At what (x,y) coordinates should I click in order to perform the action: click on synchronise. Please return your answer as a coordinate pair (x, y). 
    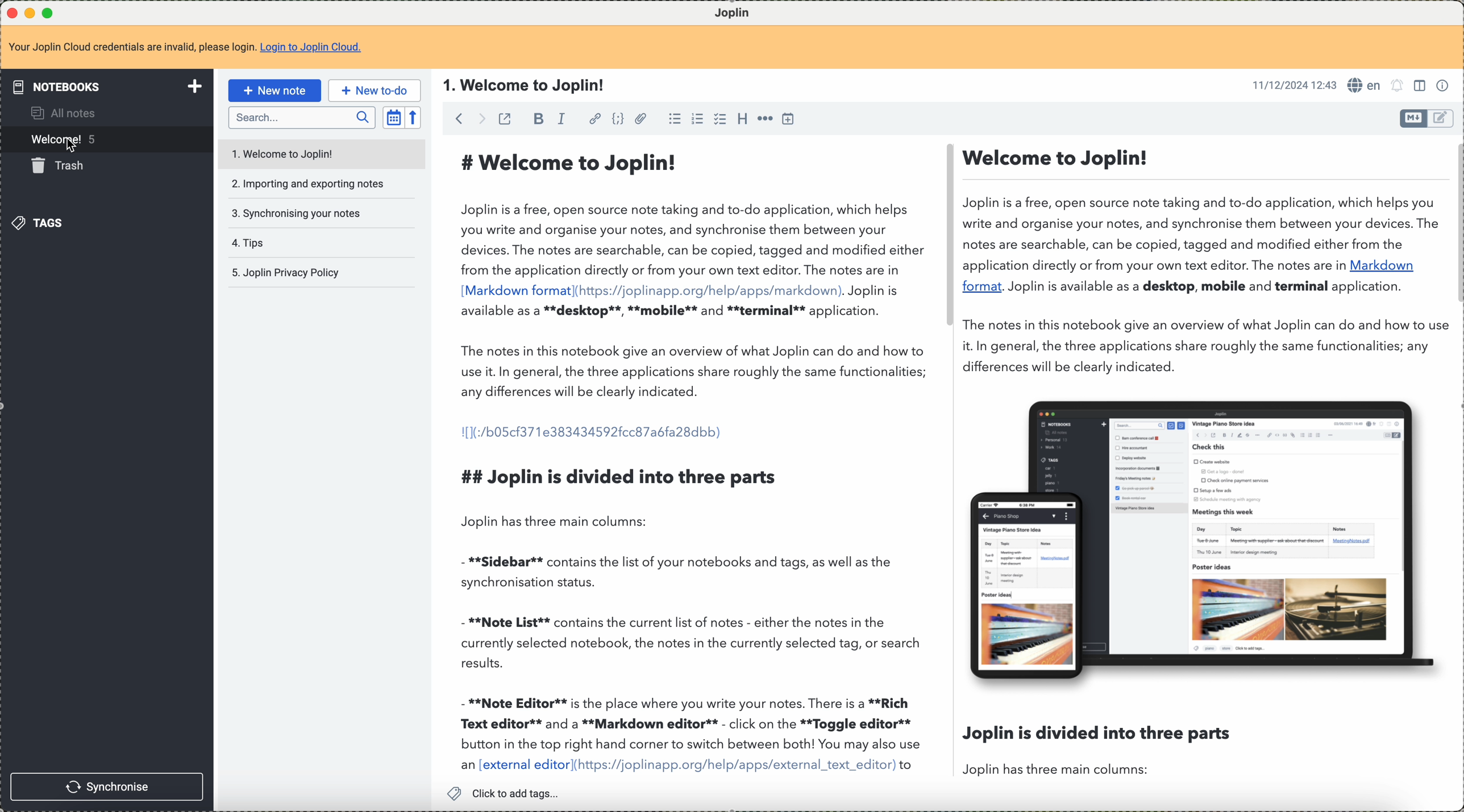
    Looking at the image, I should click on (107, 786).